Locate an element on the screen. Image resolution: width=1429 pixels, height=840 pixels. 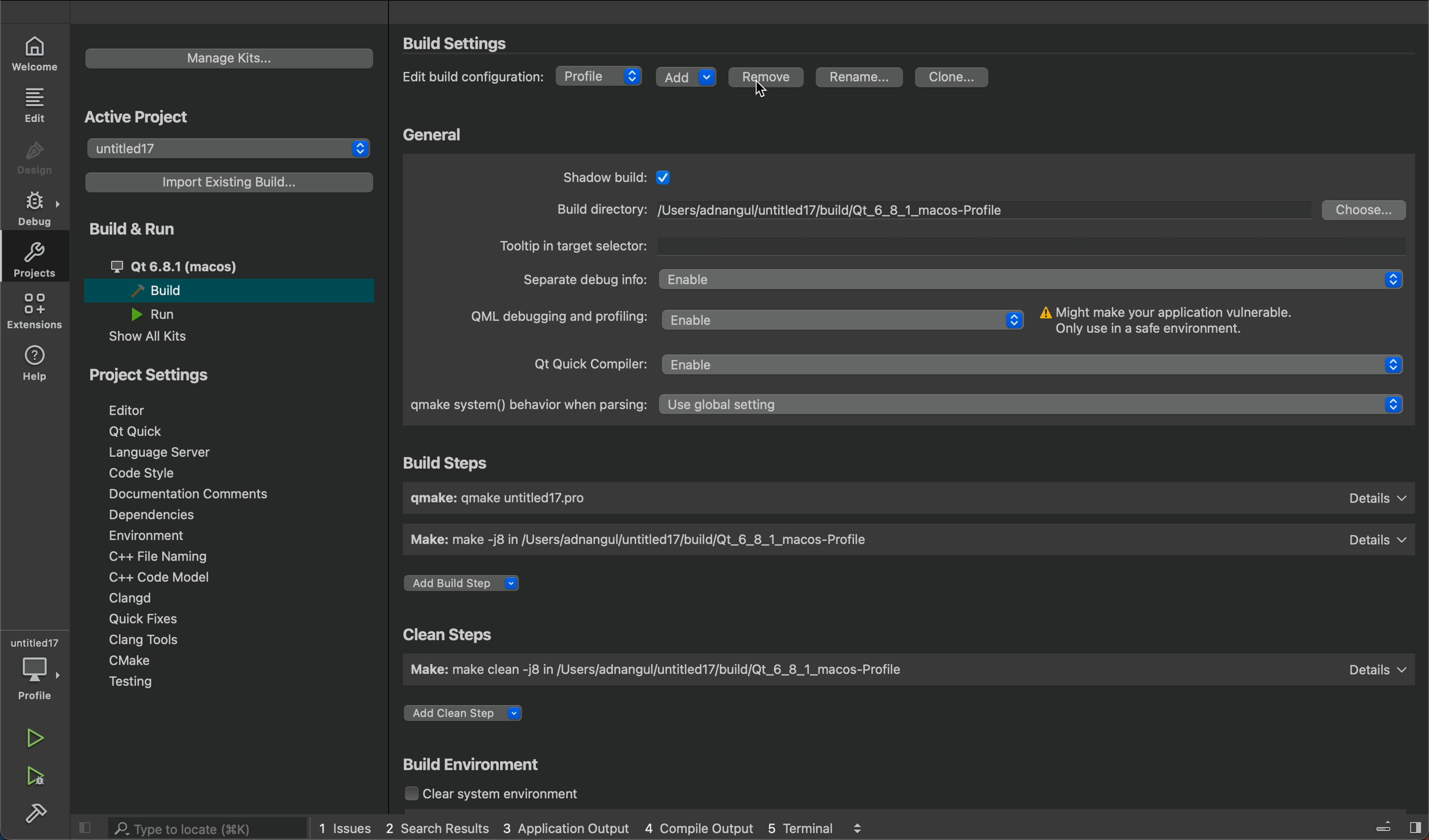
info is located at coordinates (1172, 320).